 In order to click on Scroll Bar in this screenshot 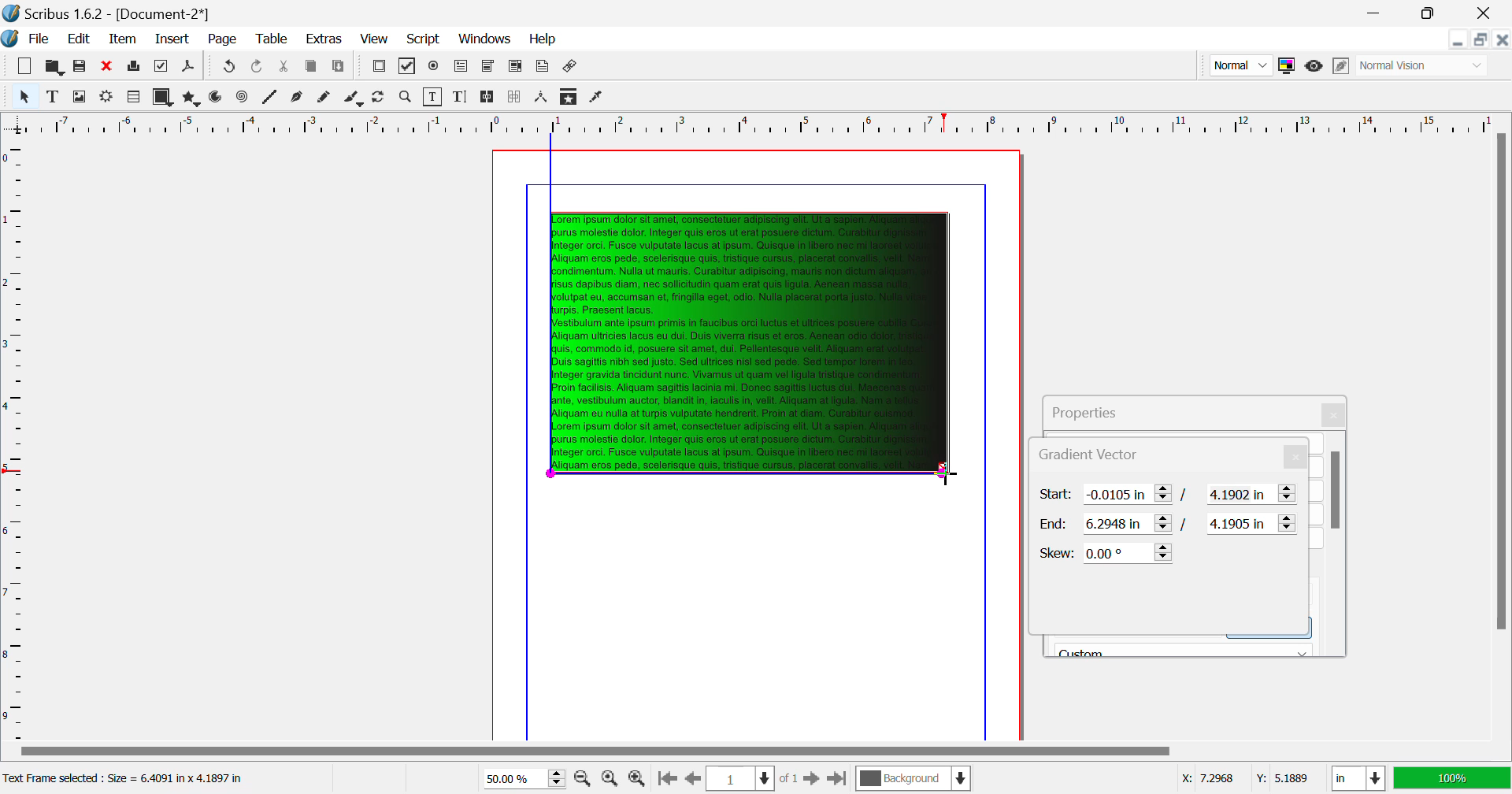, I will do `click(1502, 435)`.